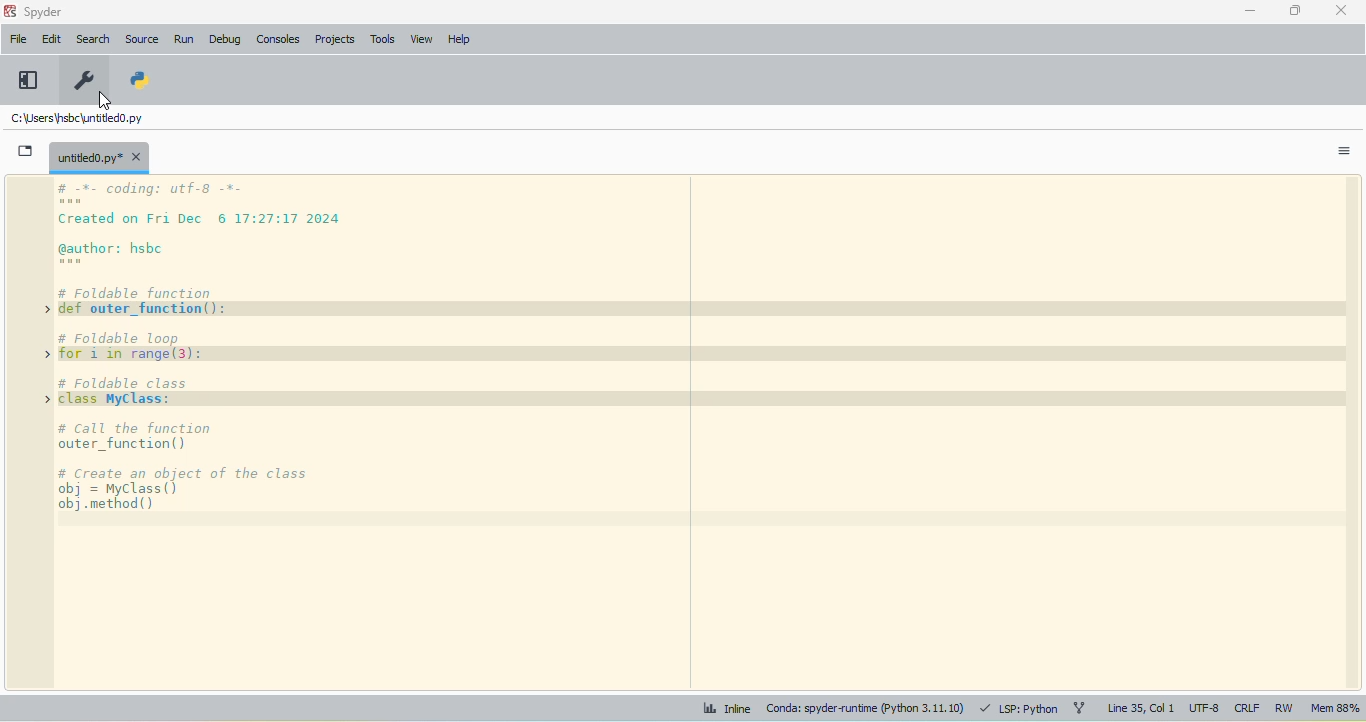 The width and height of the screenshot is (1366, 722). Describe the element at coordinates (1079, 707) in the screenshot. I see `git branch` at that location.